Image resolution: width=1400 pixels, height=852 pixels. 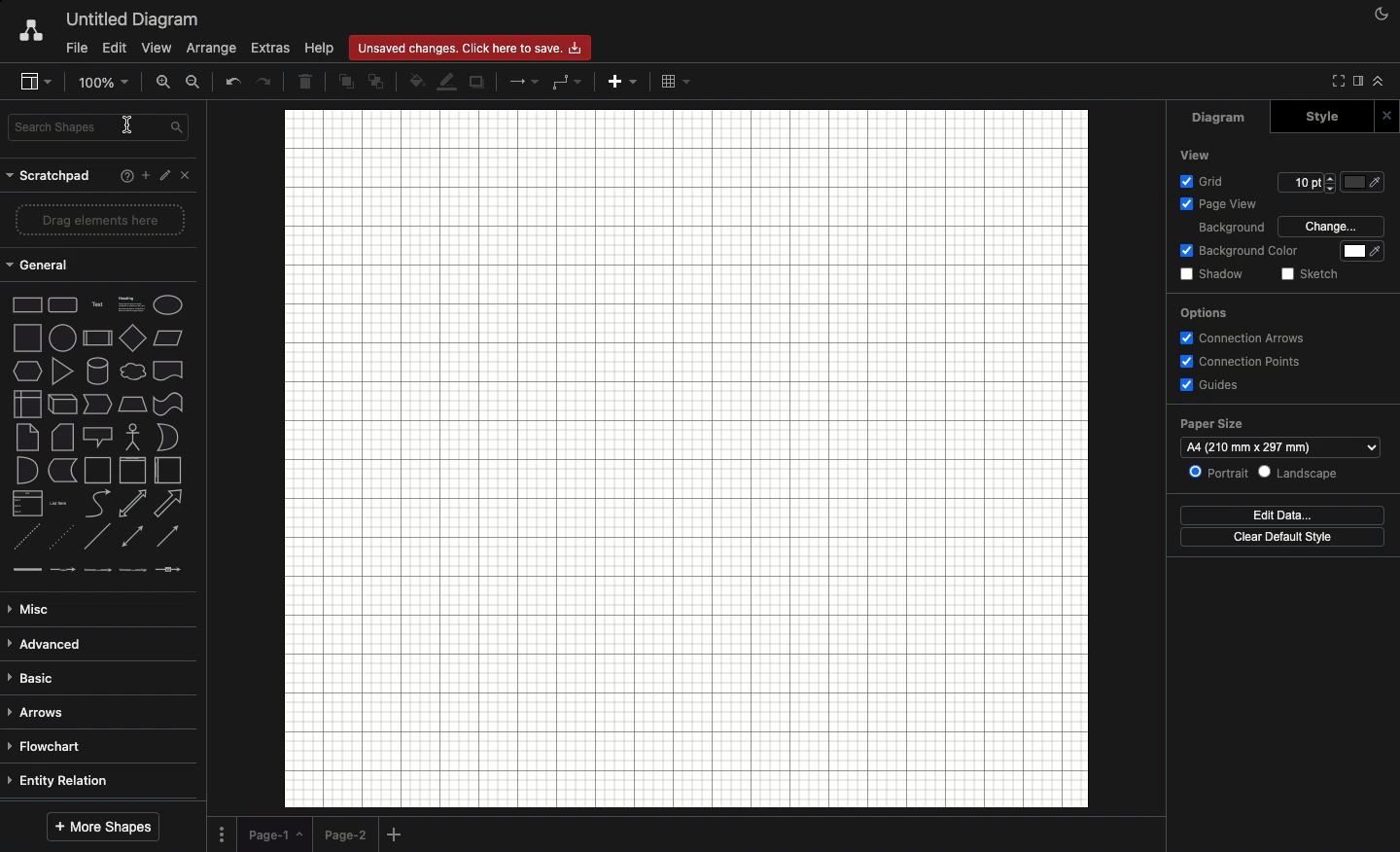 I want to click on shape, so click(x=101, y=502).